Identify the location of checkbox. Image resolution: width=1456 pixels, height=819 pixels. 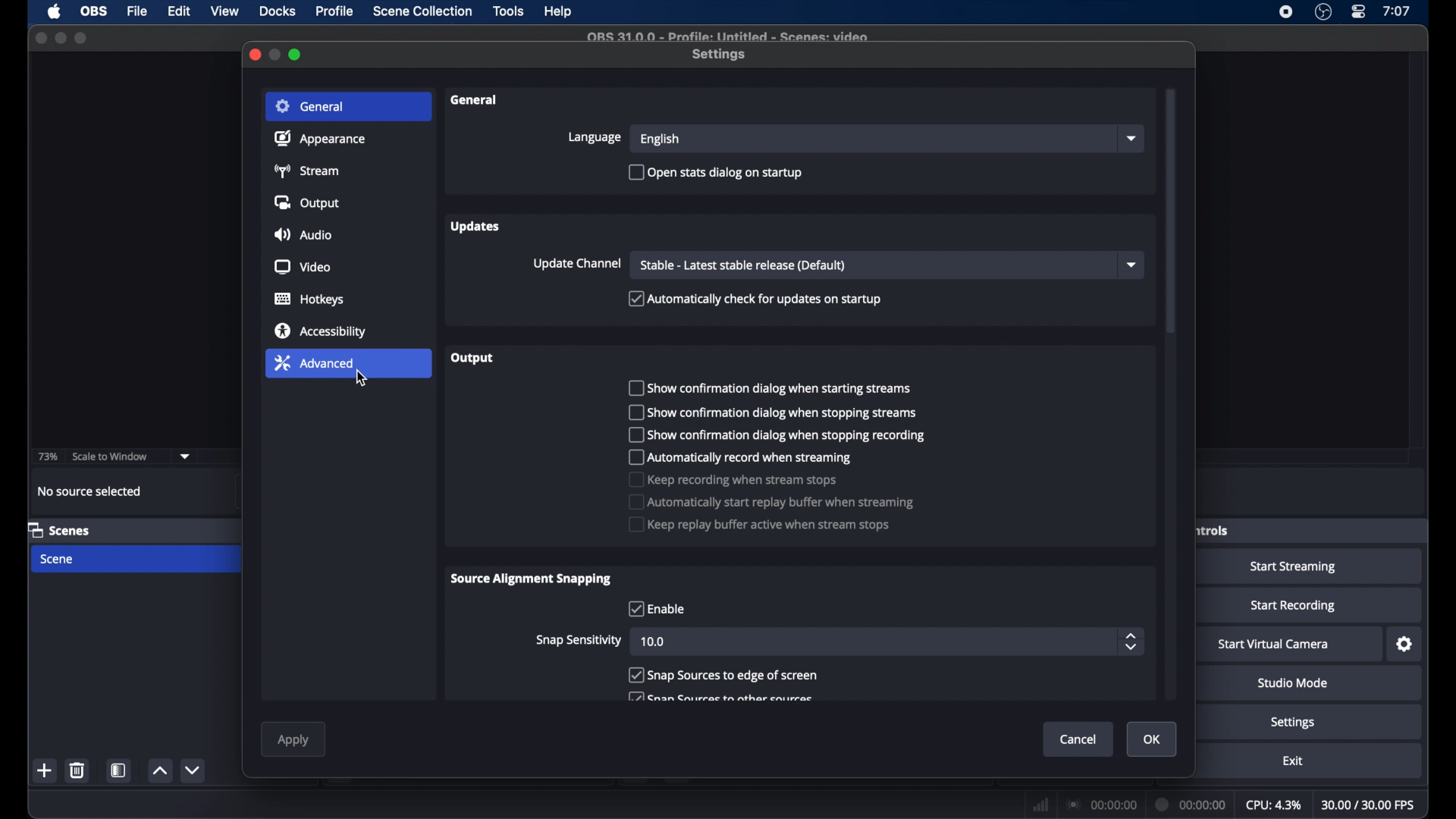
(777, 436).